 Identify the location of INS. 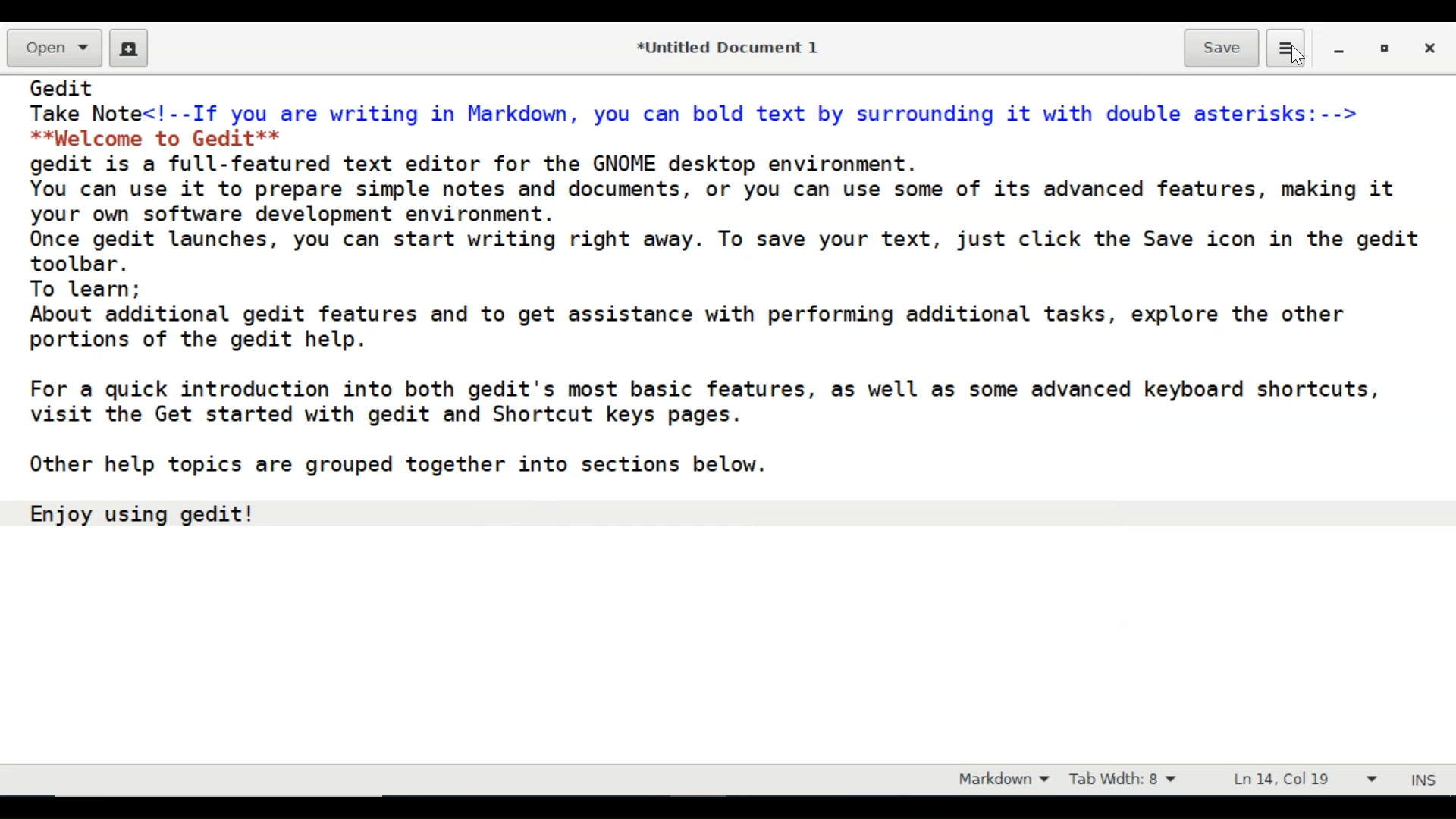
(1426, 781).